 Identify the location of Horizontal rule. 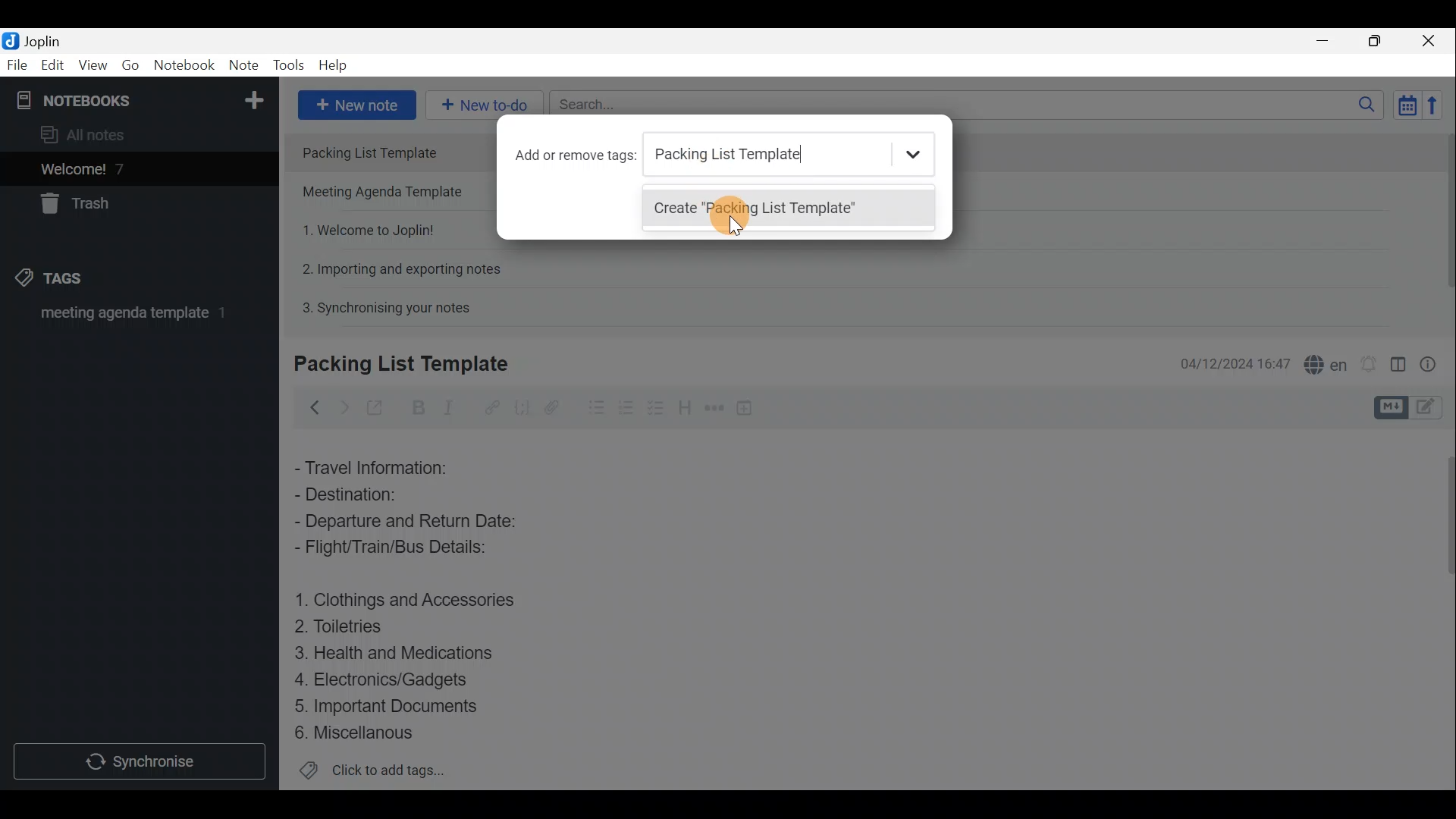
(712, 408).